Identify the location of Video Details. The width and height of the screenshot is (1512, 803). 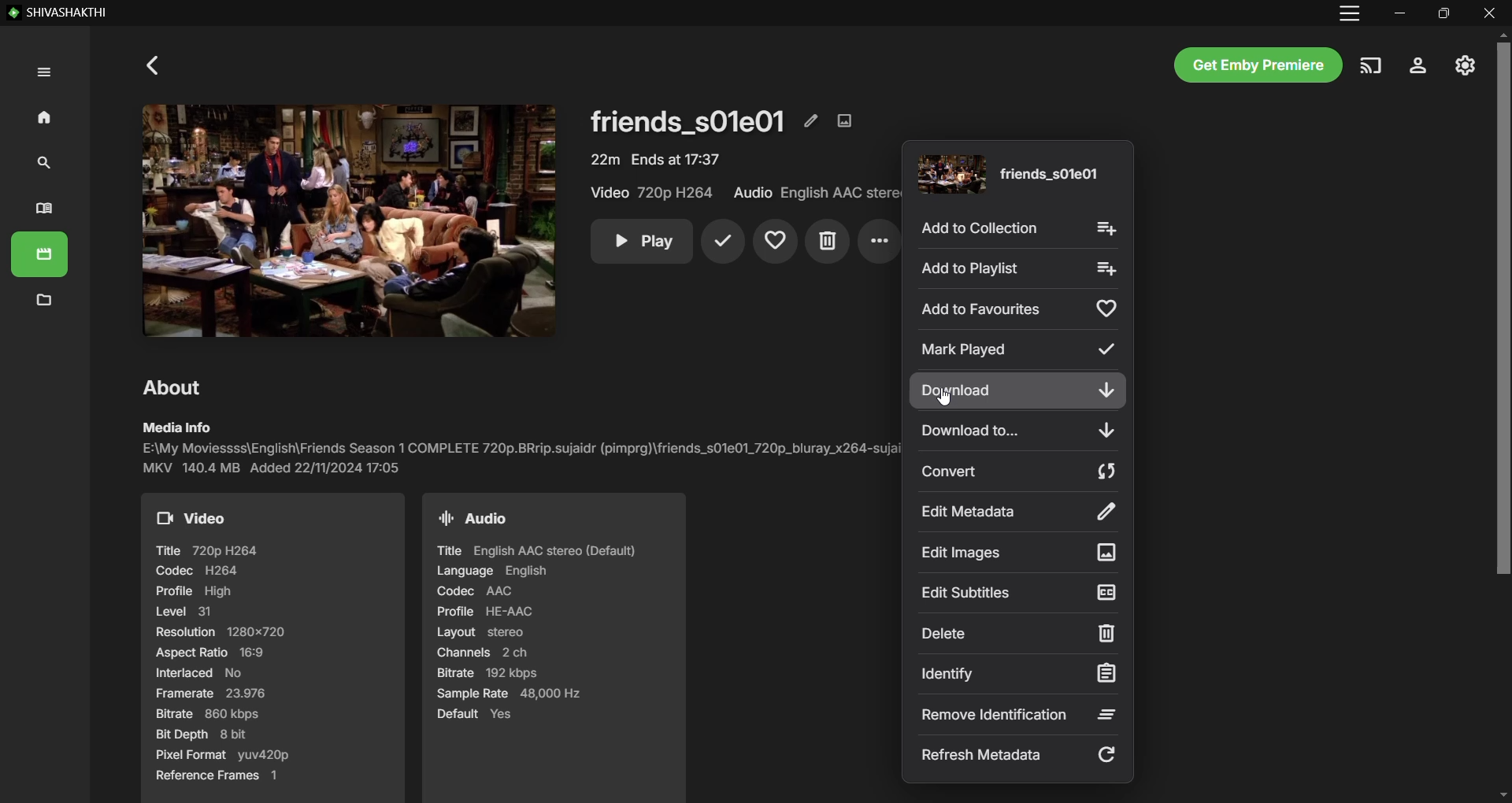
(656, 159).